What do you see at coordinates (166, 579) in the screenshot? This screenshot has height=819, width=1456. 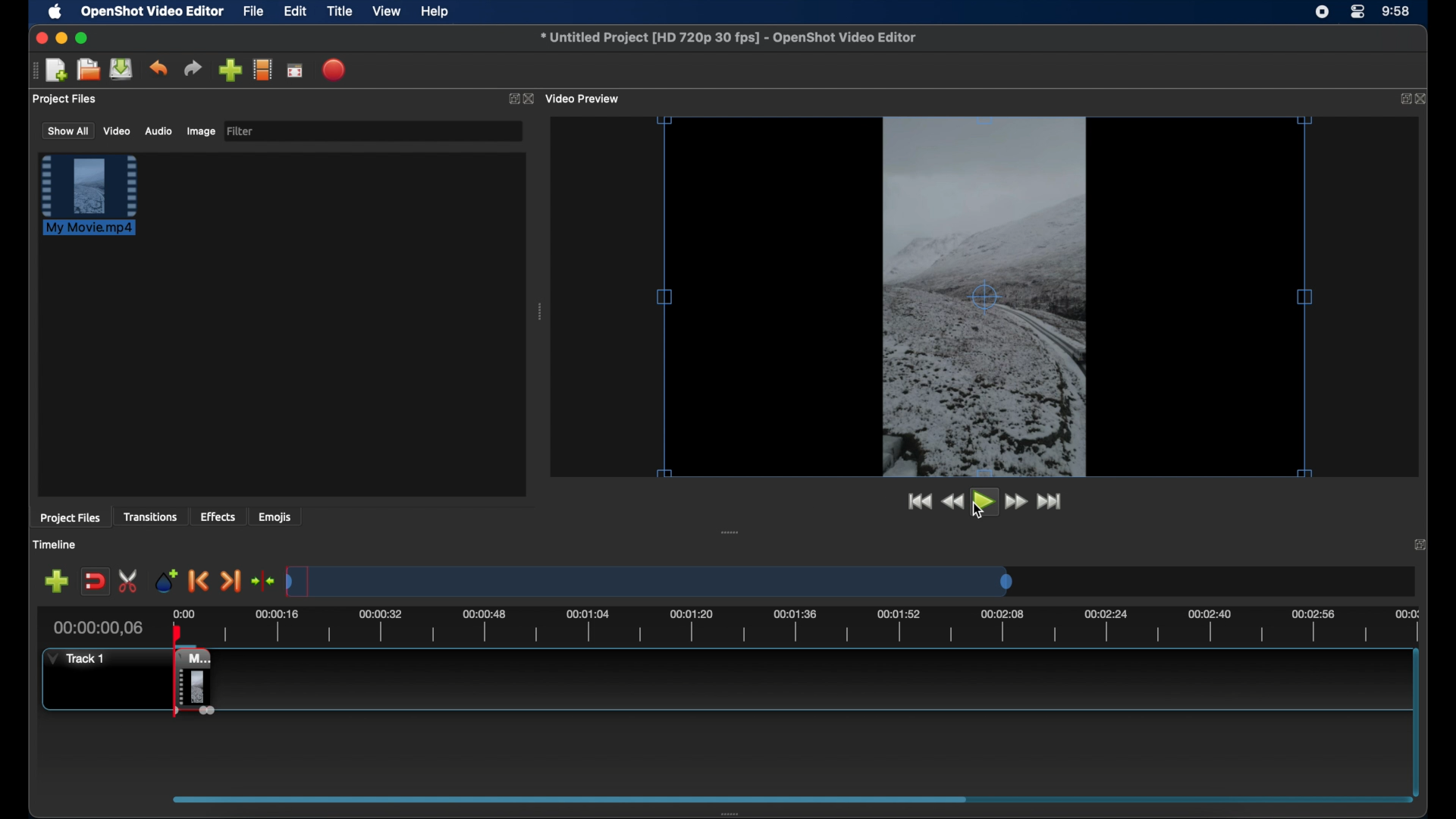 I see `add marker` at bounding box center [166, 579].